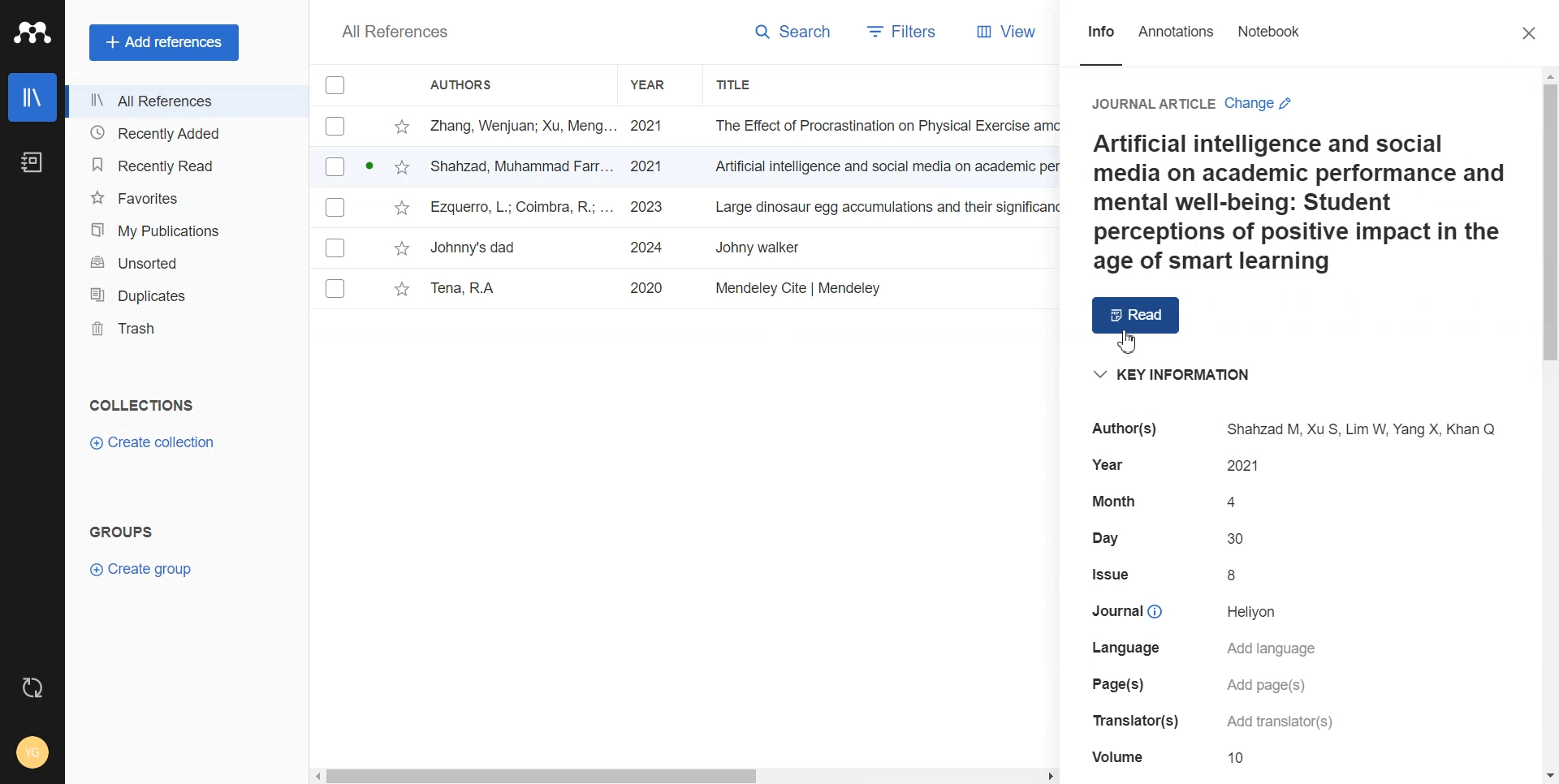 This screenshot has width=1559, height=784. I want to click on Checklist, so click(335, 84).